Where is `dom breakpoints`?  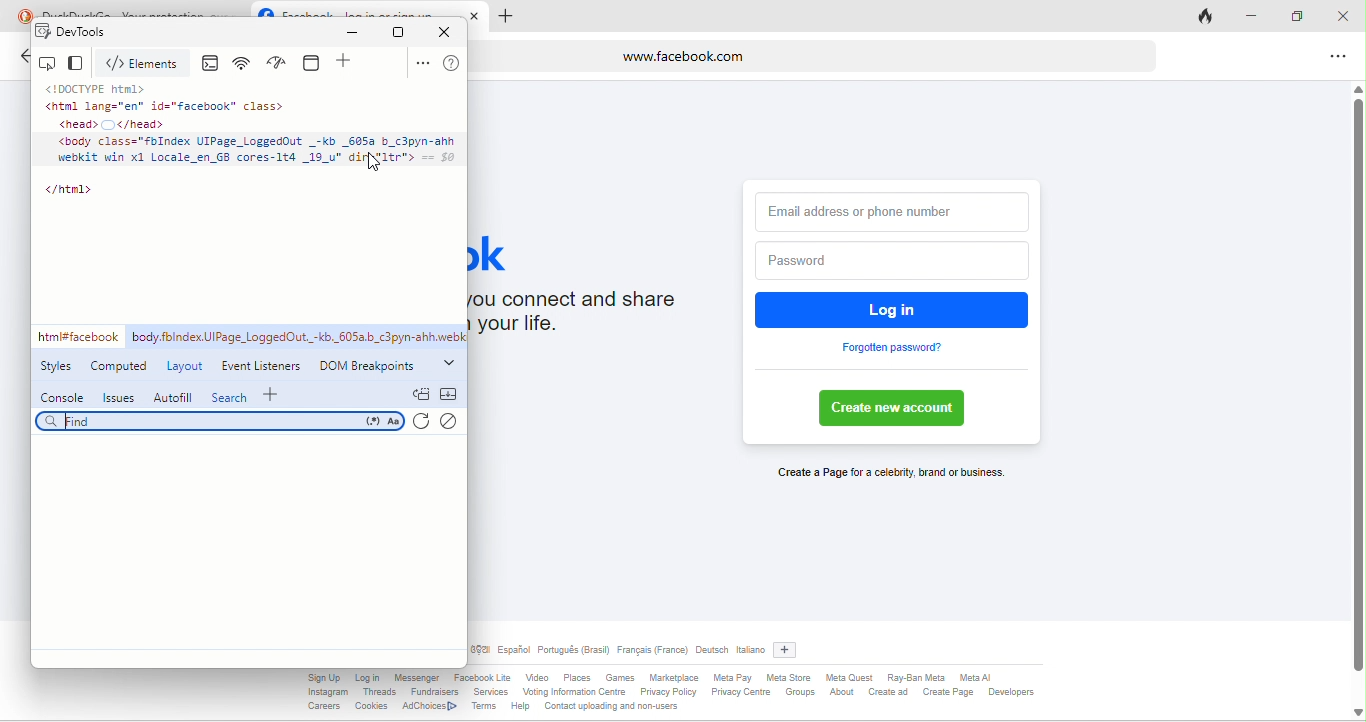 dom breakpoints is located at coordinates (372, 365).